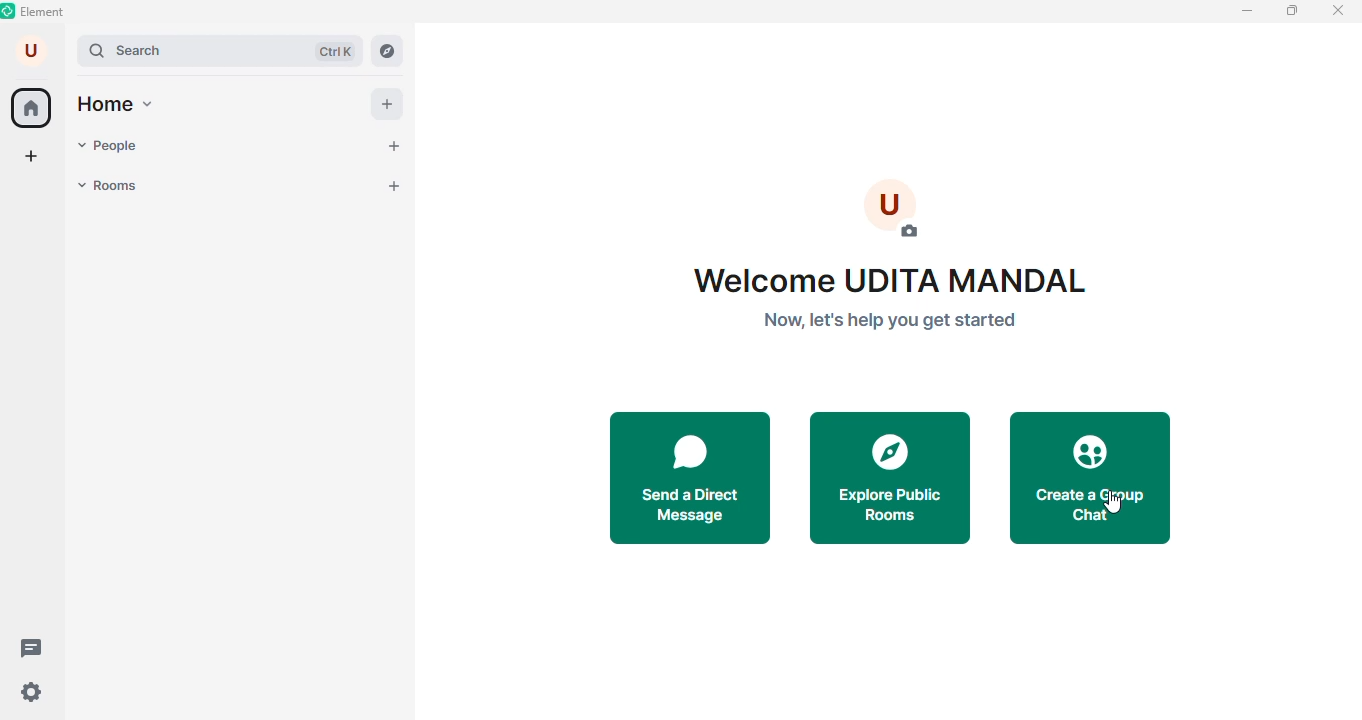  I want to click on close, so click(1340, 11).